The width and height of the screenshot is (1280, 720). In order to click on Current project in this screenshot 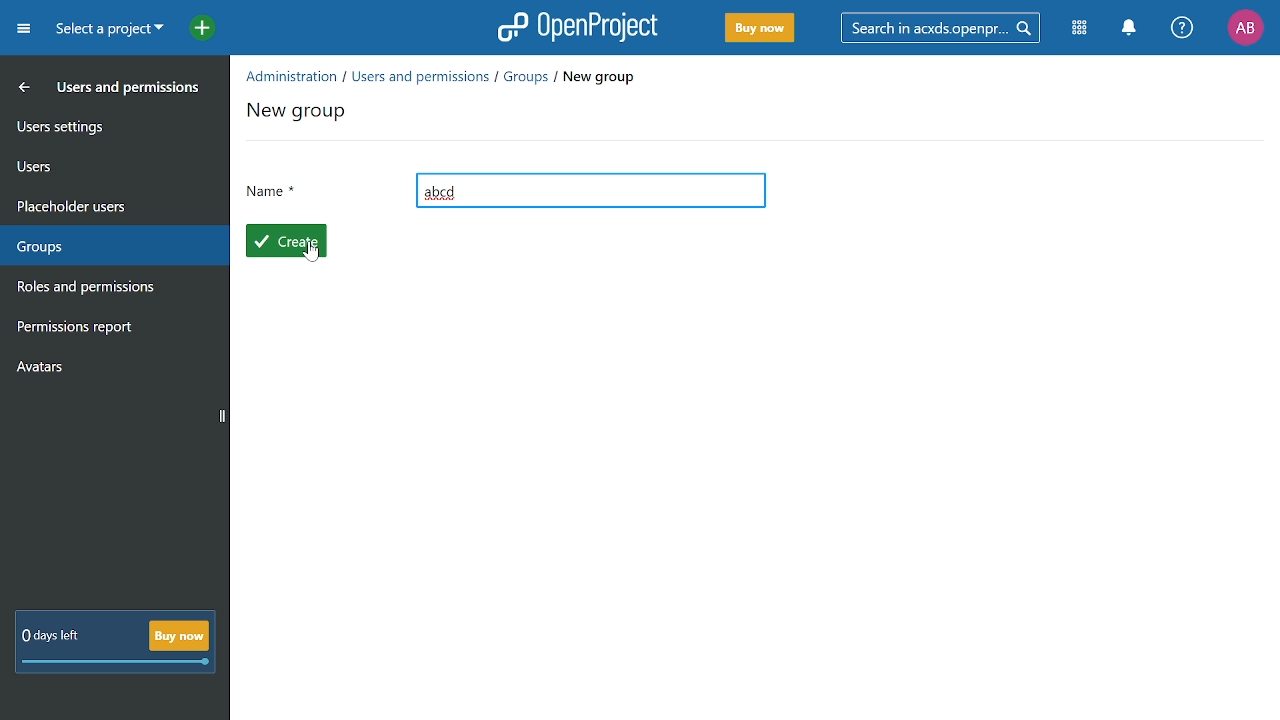, I will do `click(109, 30)`.